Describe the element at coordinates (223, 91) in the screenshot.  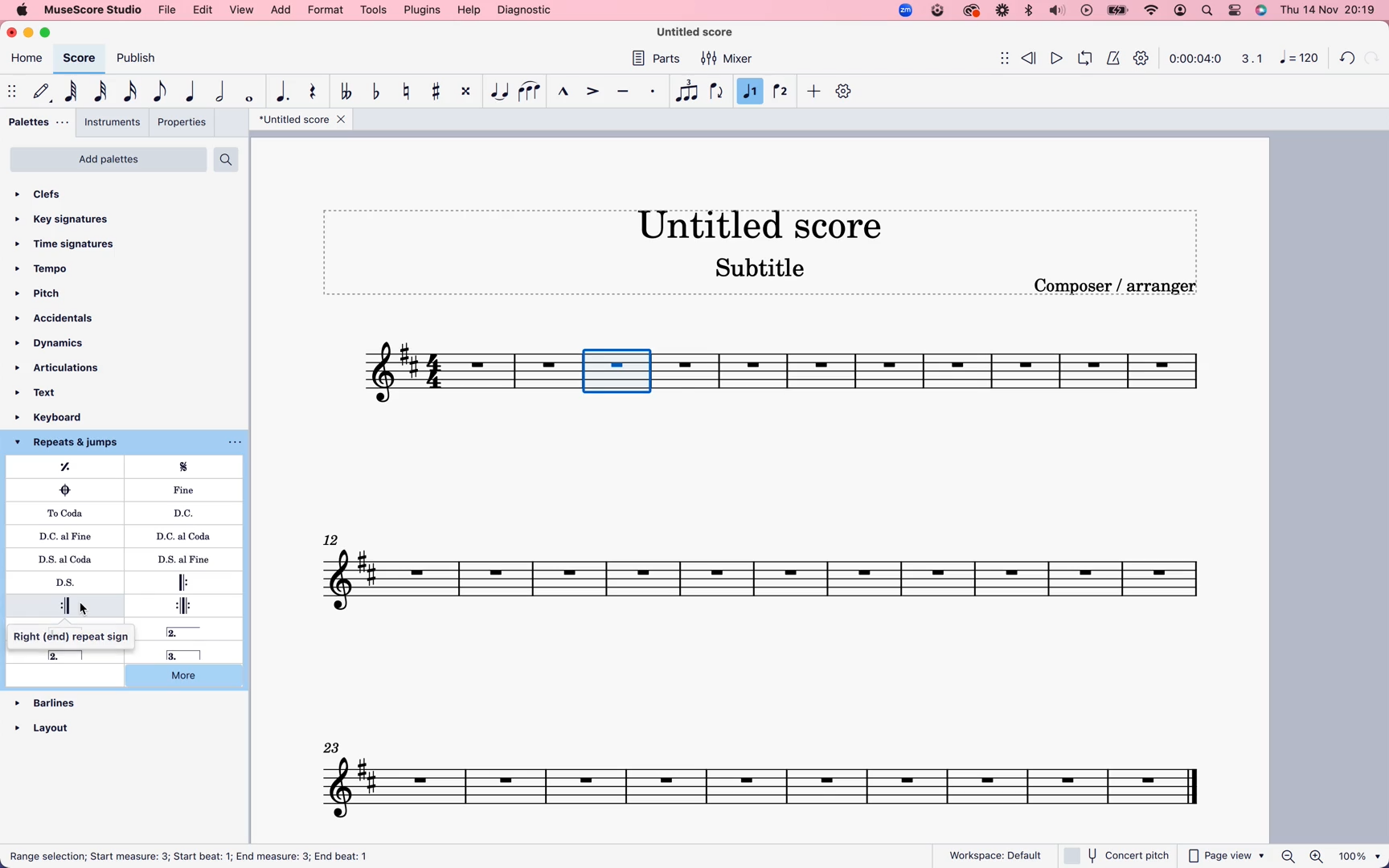
I see `half note` at that location.